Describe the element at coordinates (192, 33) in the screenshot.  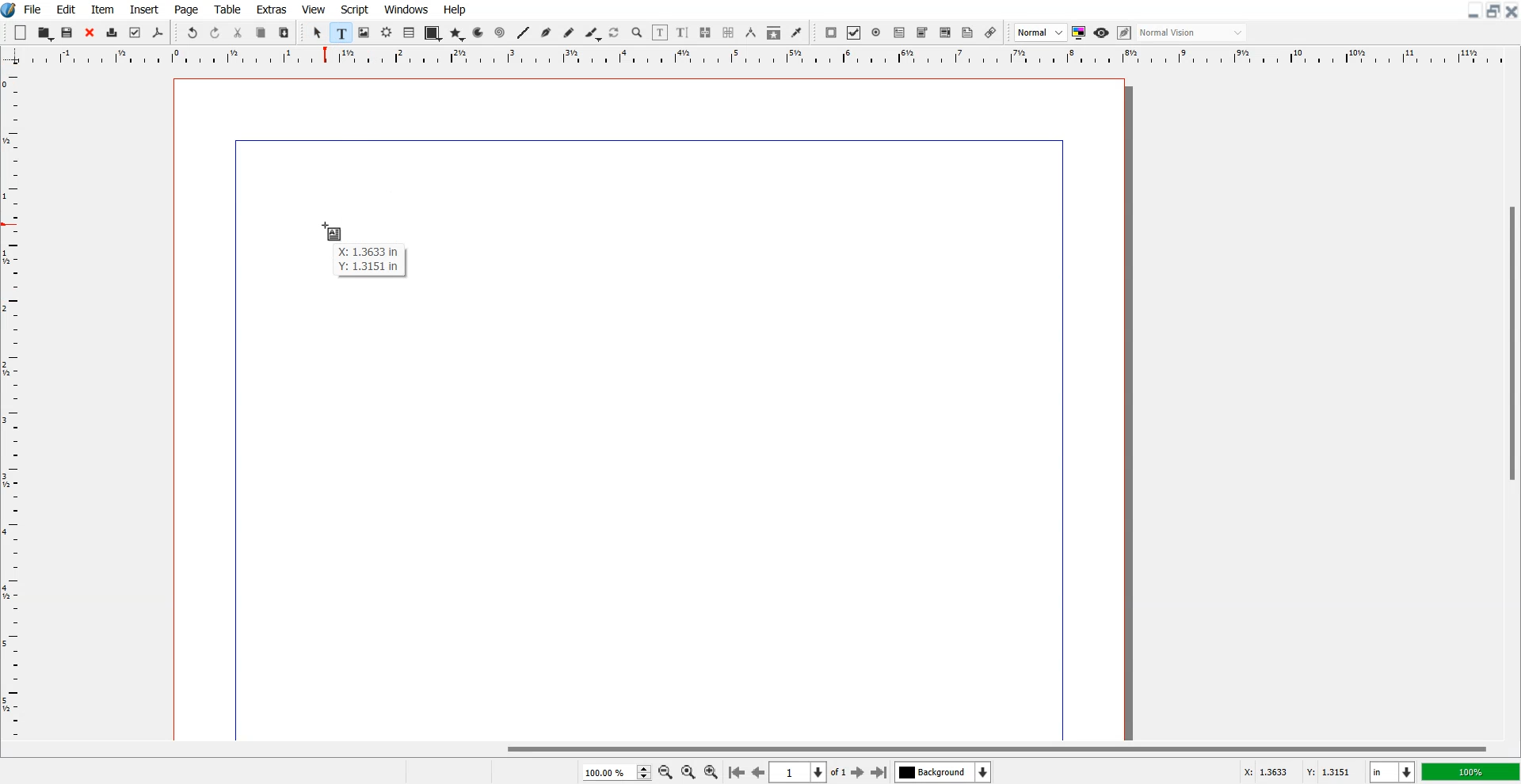
I see `Undo` at that location.